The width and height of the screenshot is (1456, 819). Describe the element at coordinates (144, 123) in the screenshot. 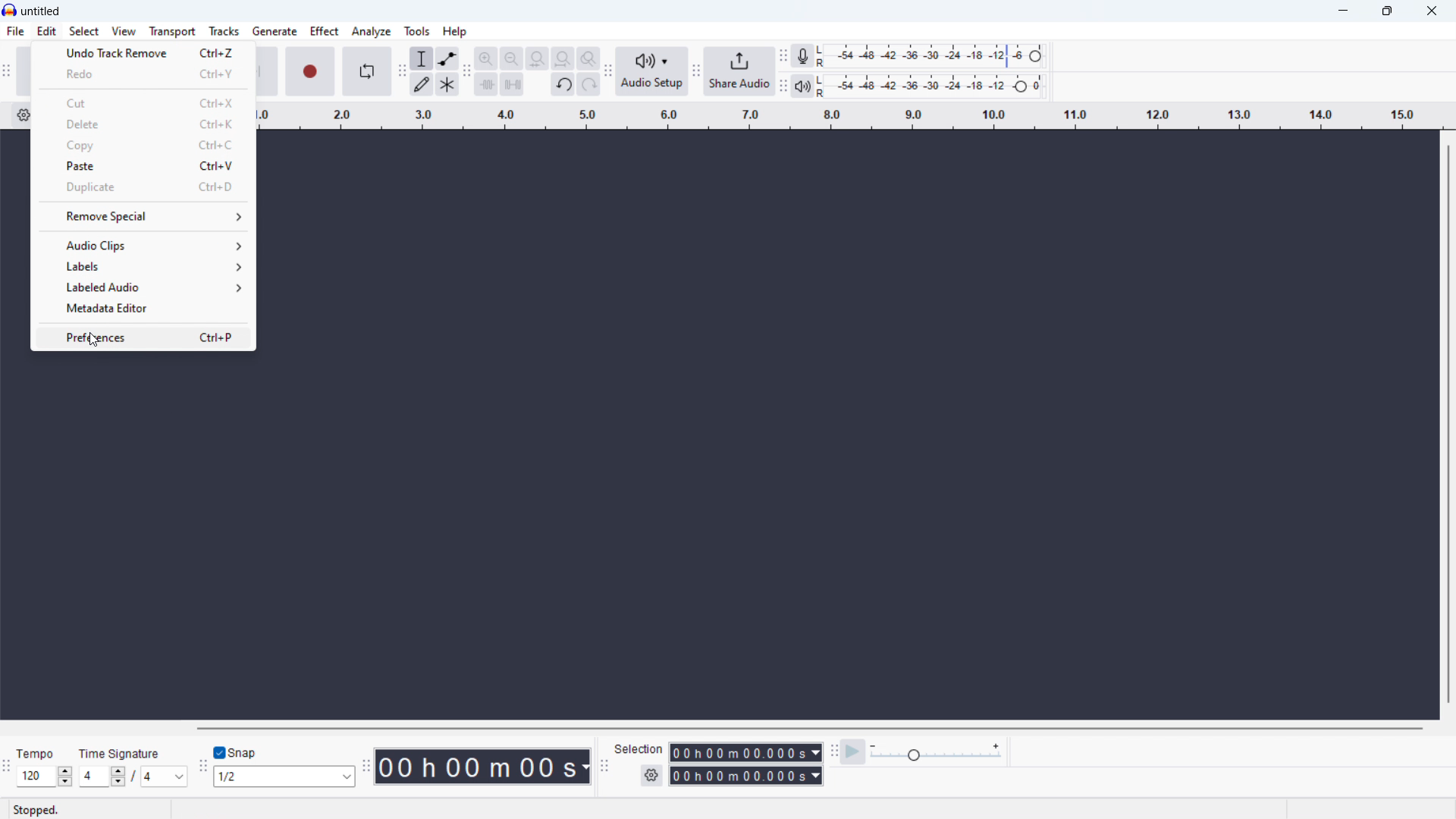

I see `delete` at that location.